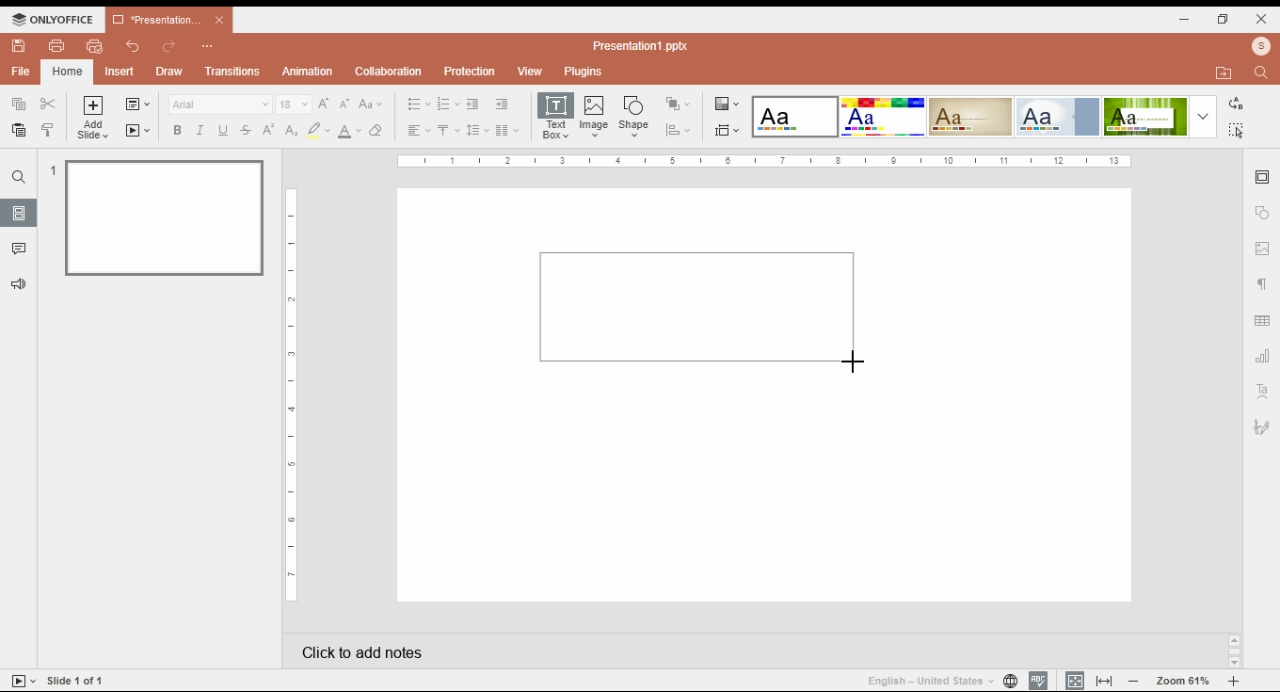 The width and height of the screenshot is (1280, 692). I want to click on underline, so click(224, 130).